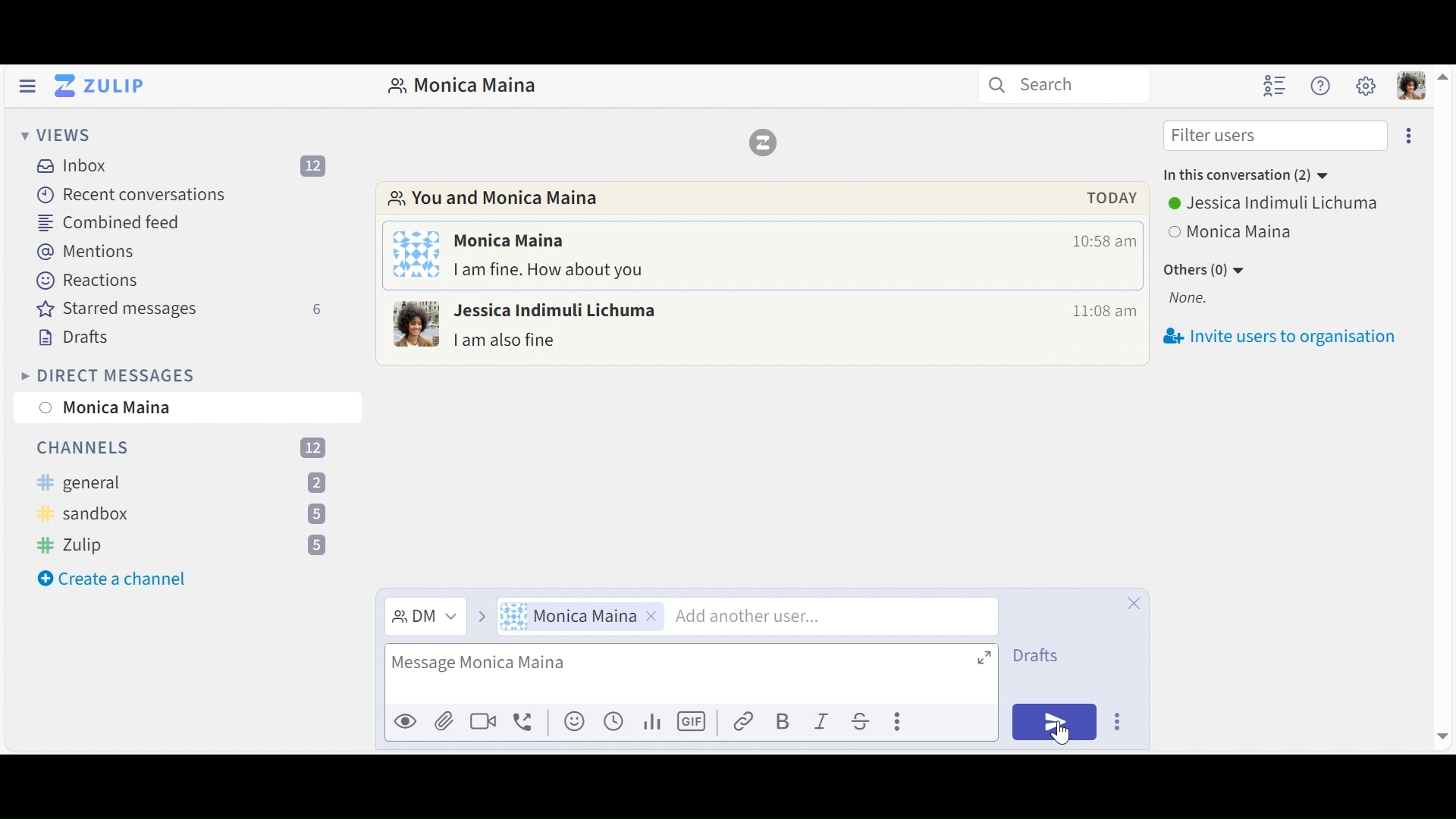  What do you see at coordinates (1442, 736) in the screenshot?
I see `move down` at bounding box center [1442, 736].